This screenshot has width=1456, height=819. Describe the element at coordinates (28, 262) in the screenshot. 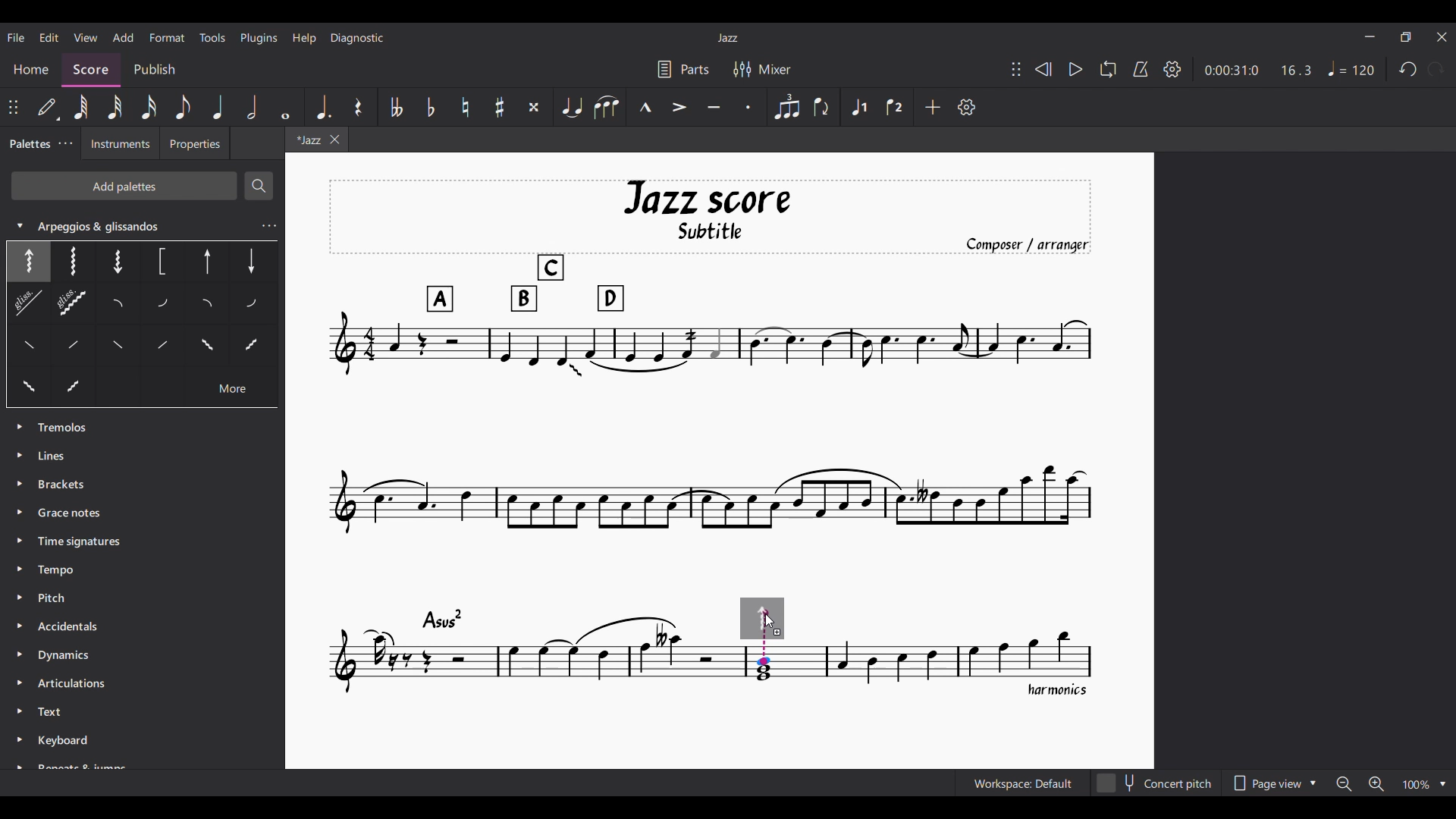

I see `Selected option highlighted` at that location.